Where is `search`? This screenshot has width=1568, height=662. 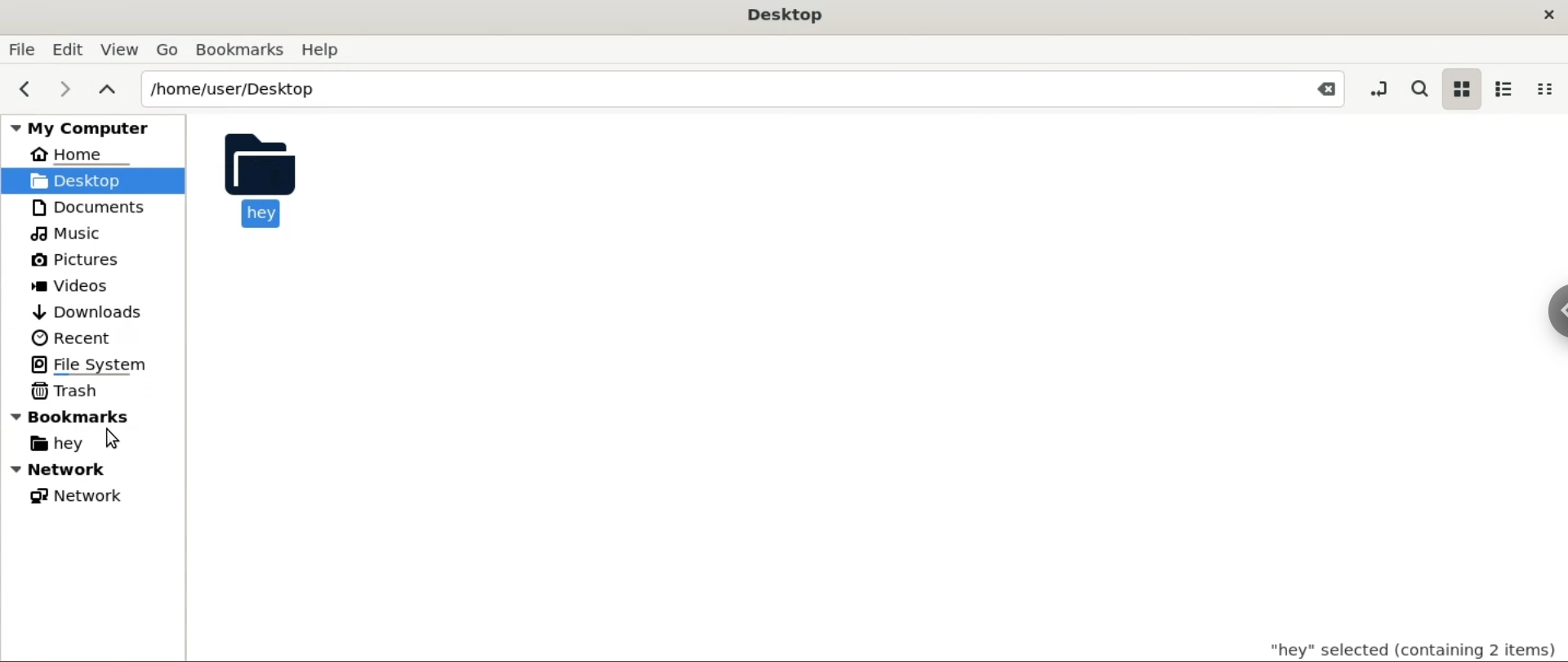
search is located at coordinates (1419, 88).